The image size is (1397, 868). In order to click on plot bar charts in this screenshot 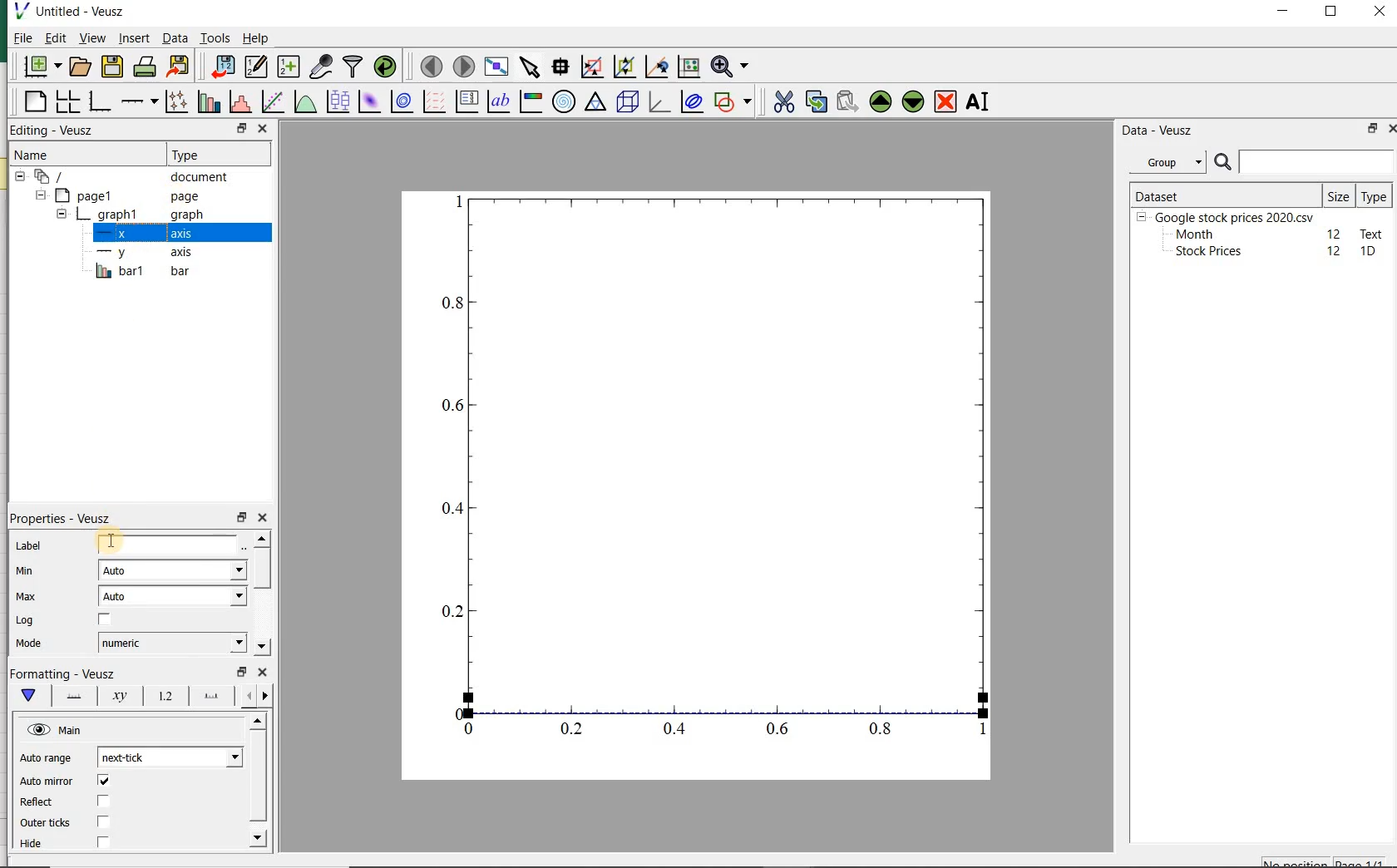, I will do `click(206, 103)`.